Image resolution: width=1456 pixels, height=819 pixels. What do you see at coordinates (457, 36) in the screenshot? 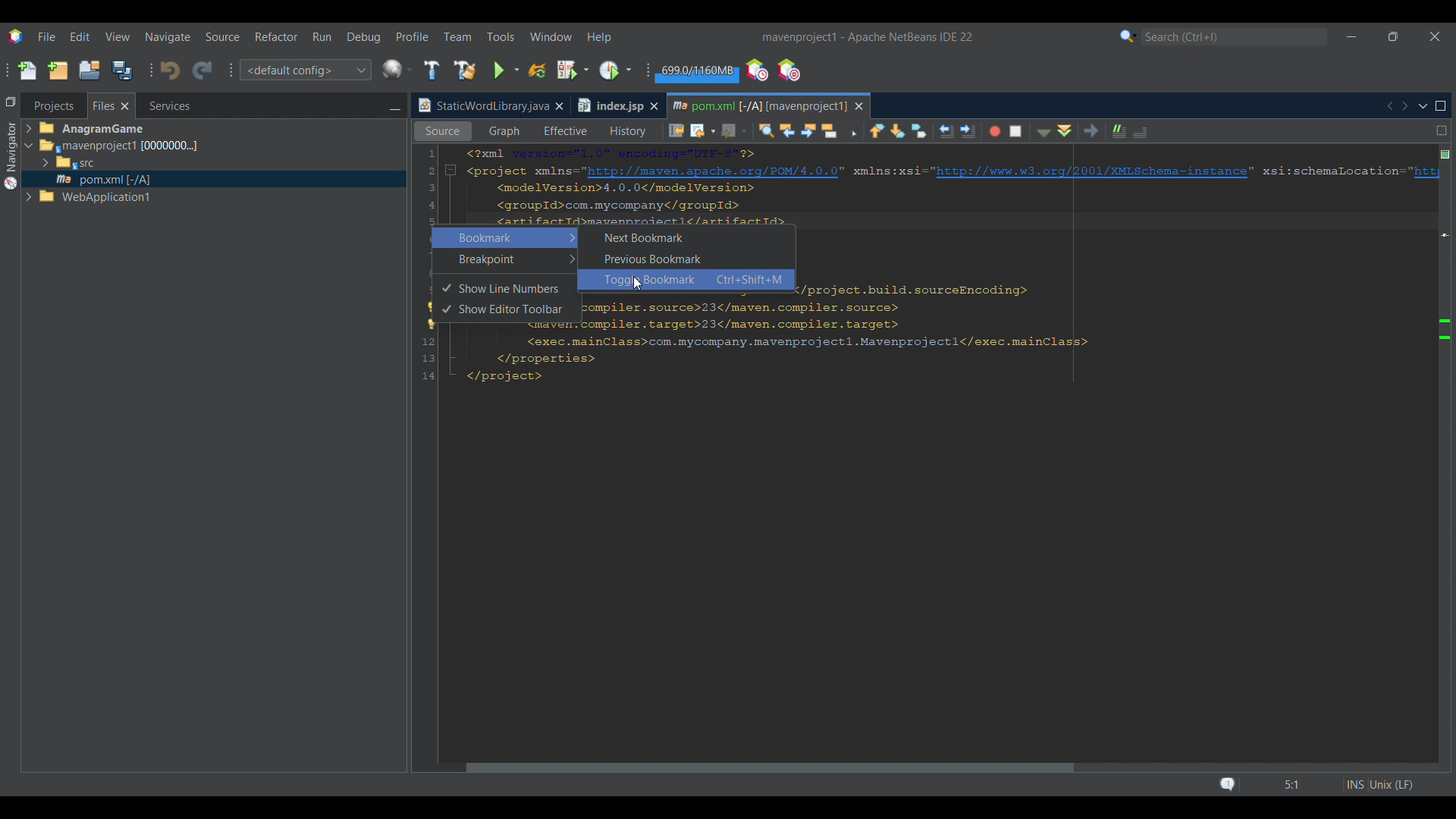
I see `Team menu` at bounding box center [457, 36].